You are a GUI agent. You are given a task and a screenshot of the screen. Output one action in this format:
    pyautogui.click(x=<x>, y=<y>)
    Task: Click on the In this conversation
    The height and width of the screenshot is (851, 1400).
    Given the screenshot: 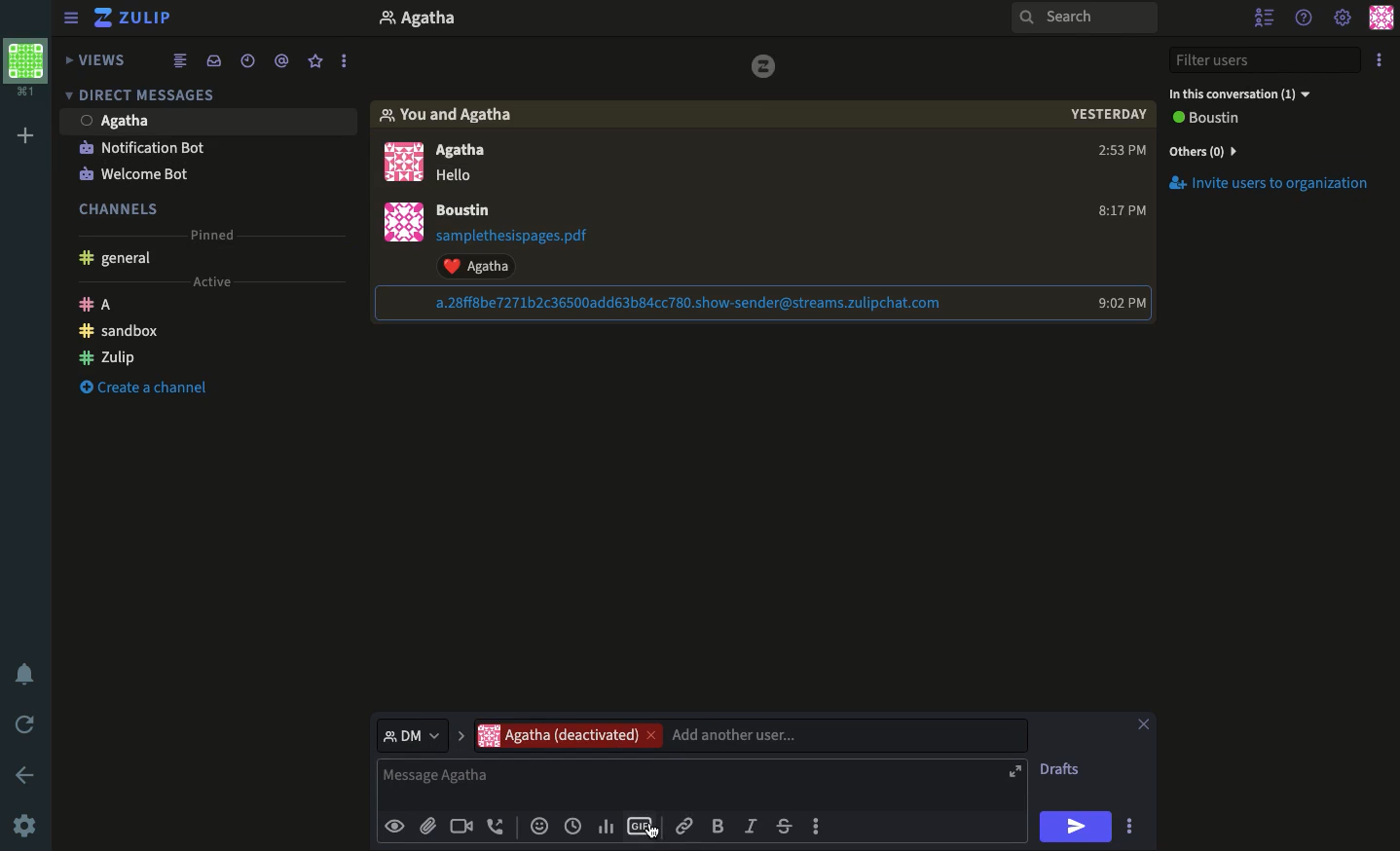 What is the action you would take?
    pyautogui.click(x=1244, y=95)
    